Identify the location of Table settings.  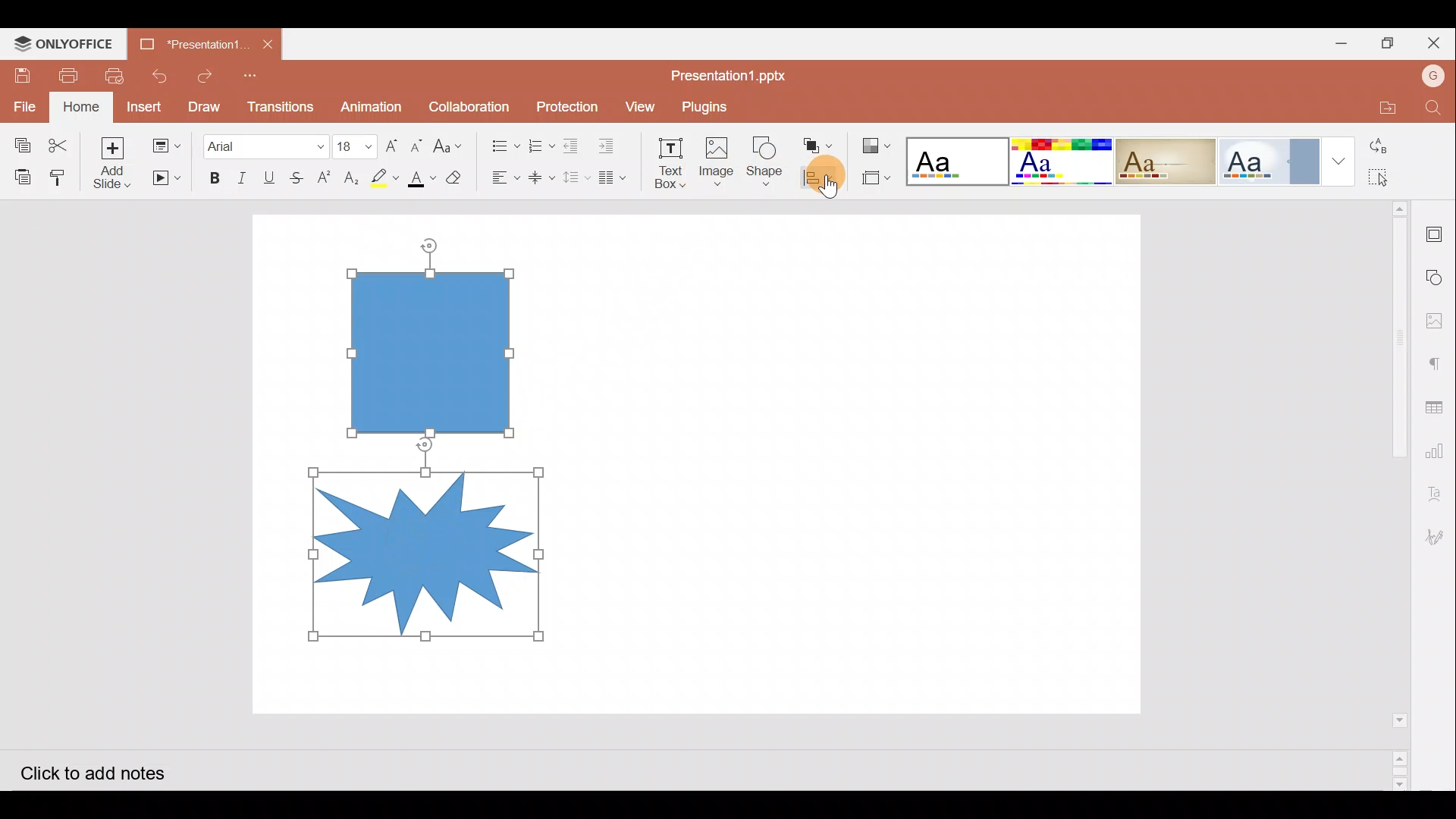
(1439, 406).